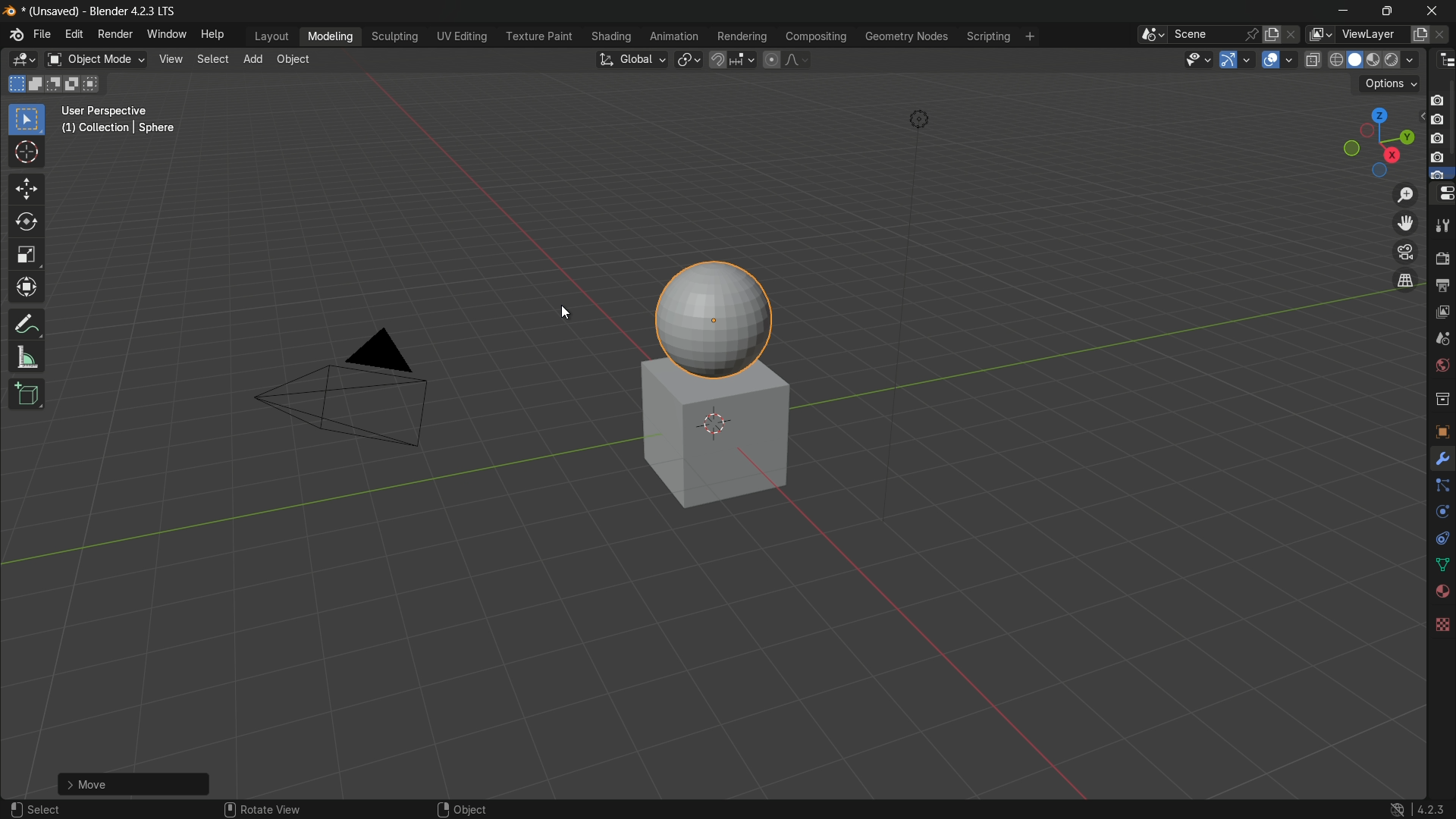 This screenshot has height=819, width=1456. I want to click on Mesh Data Properties, so click(1439, 563).